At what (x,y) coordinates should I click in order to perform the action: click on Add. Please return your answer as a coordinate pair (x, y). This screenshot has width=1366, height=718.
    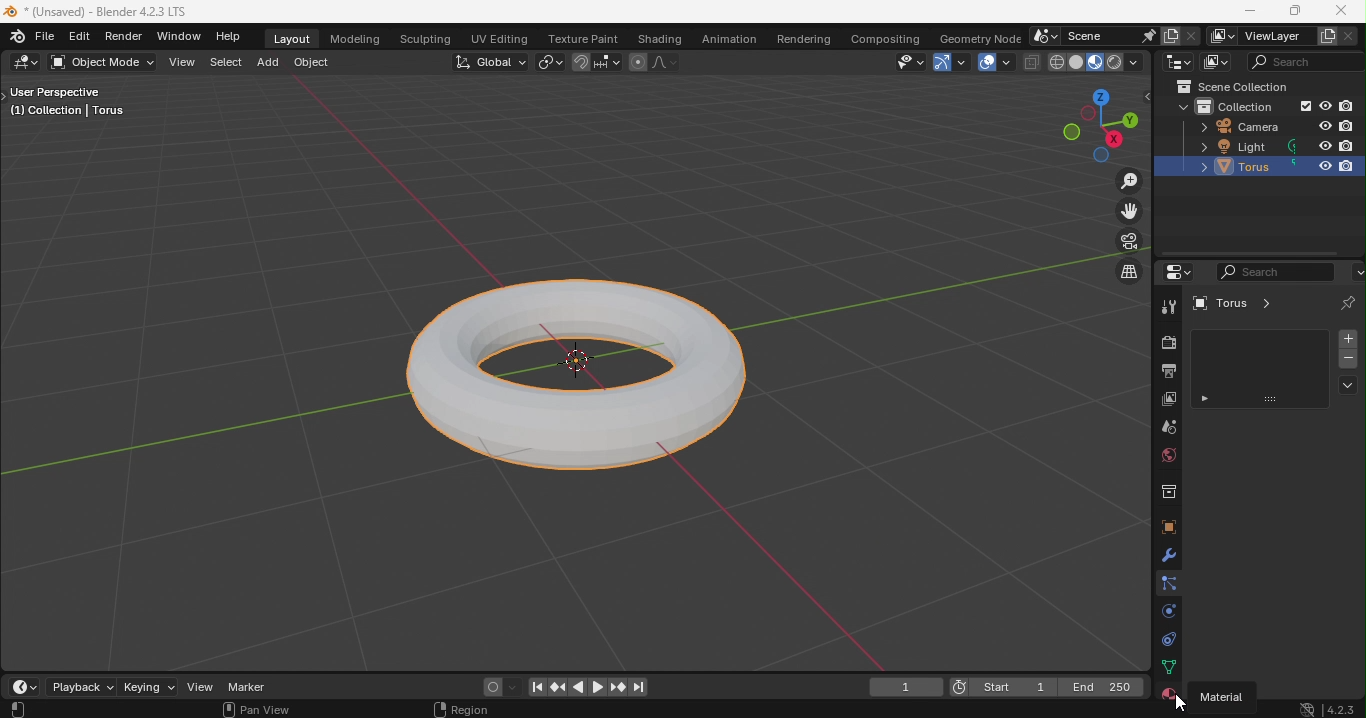
    Looking at the image, I should click on (270, 61).